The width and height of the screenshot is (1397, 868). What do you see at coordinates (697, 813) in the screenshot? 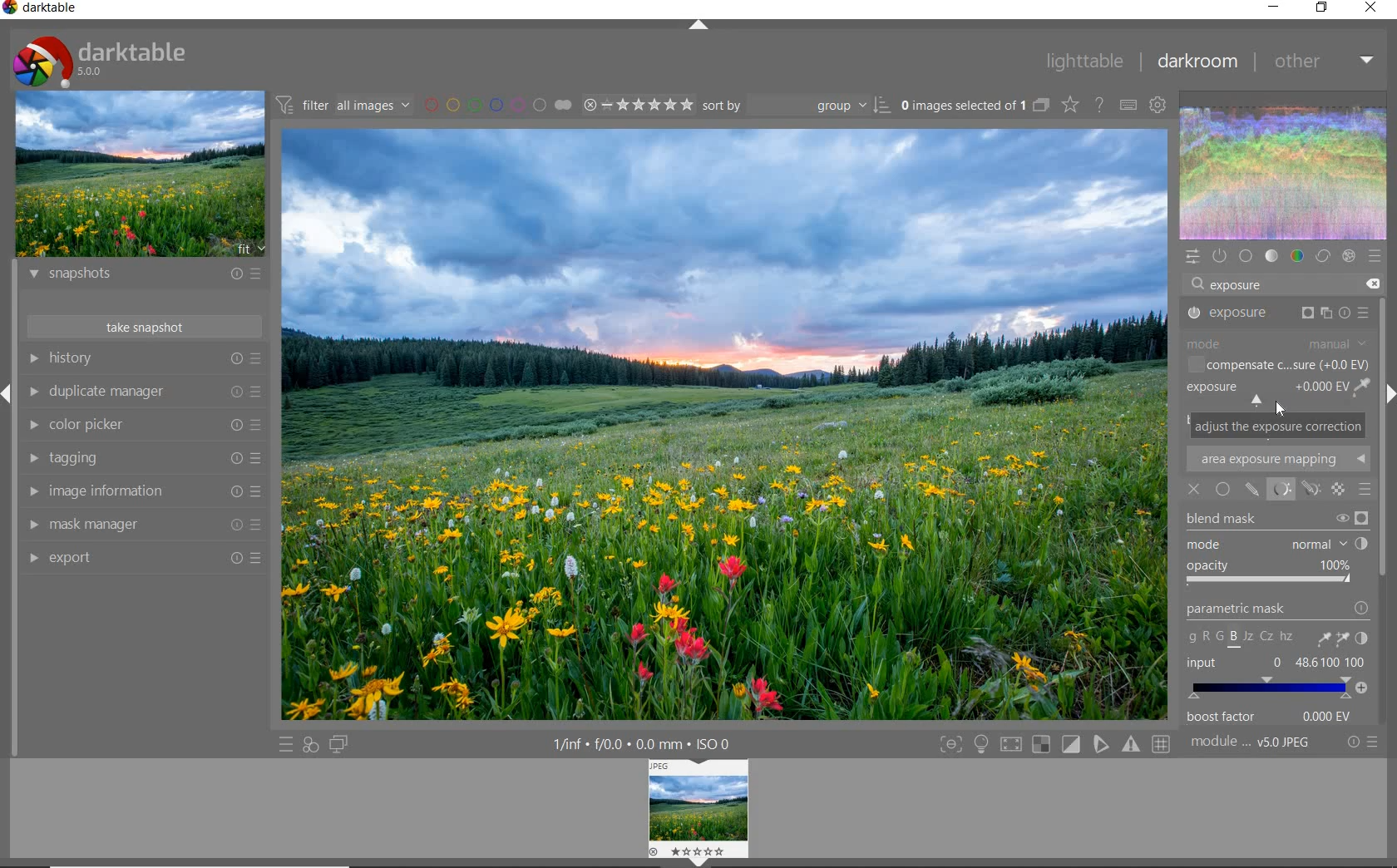
I see `image preview` at bounding box center [697, 813].